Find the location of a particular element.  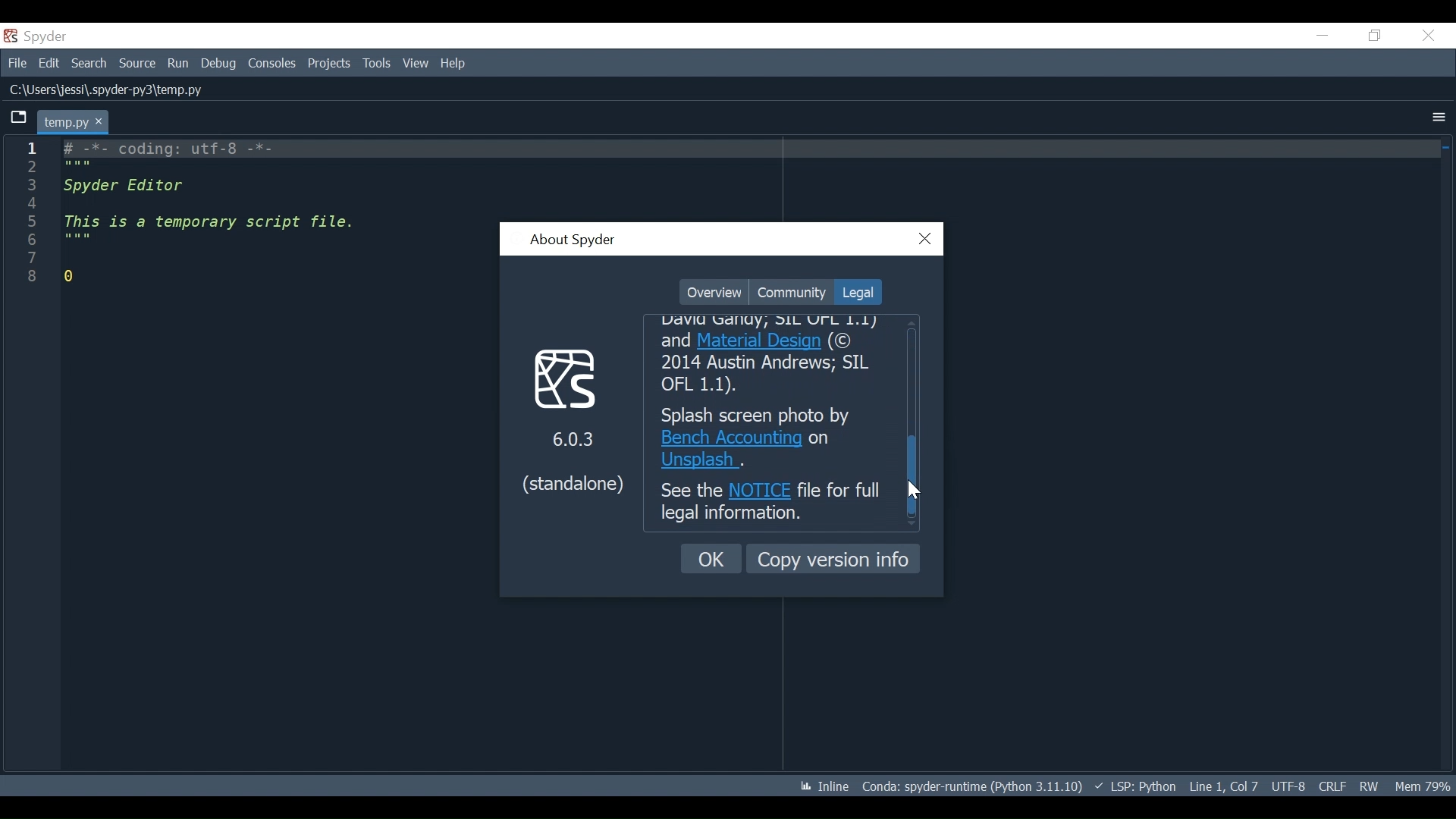

Help is located at coordinates (454, 64).